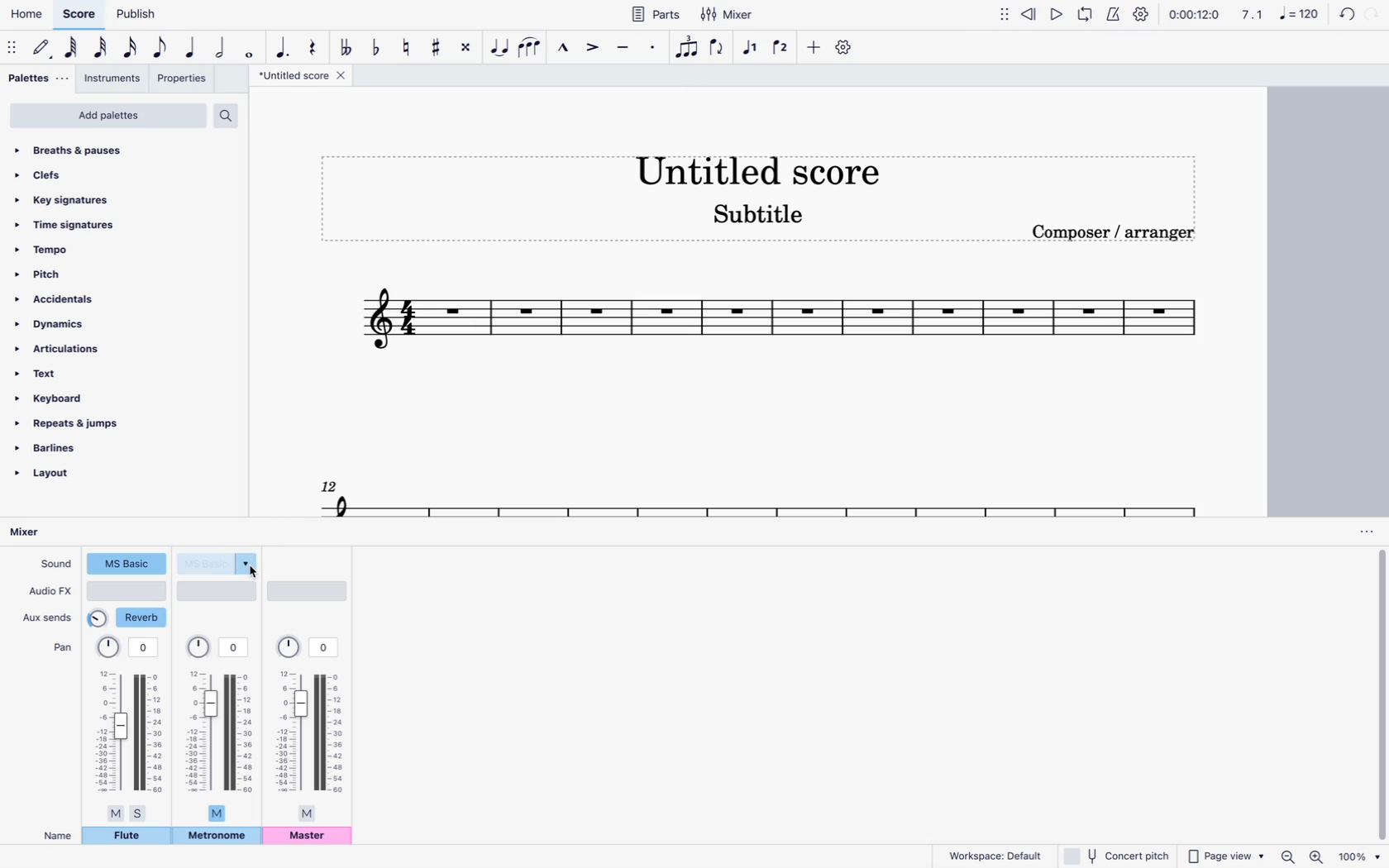 This screenshot has width=1389, height=868. Describe the element at coordinates (103, 222) in the screenshot. I see `time signatures` at that location.